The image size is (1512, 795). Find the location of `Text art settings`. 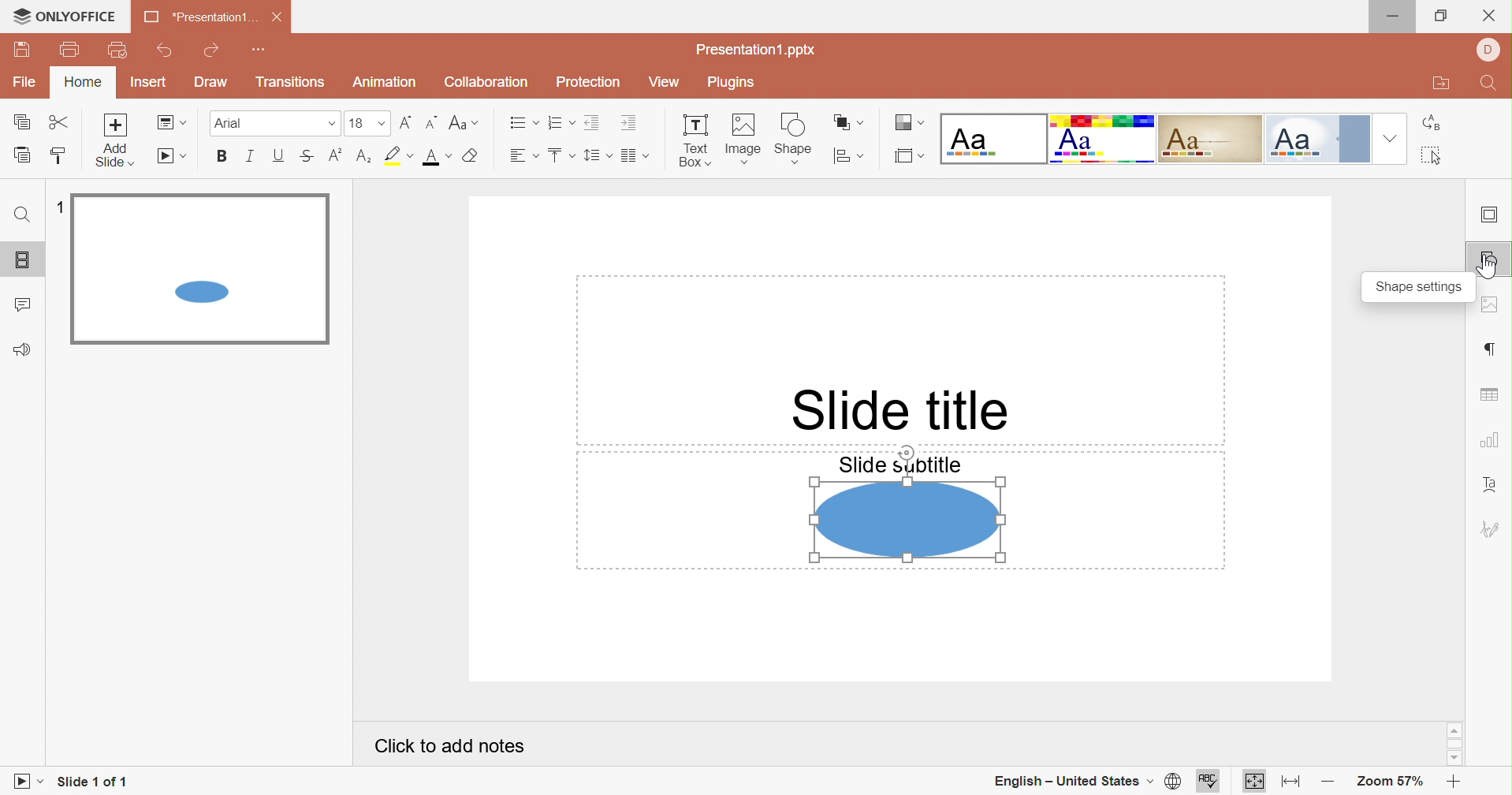

Text art settings is located at coordinates (1492, 483).